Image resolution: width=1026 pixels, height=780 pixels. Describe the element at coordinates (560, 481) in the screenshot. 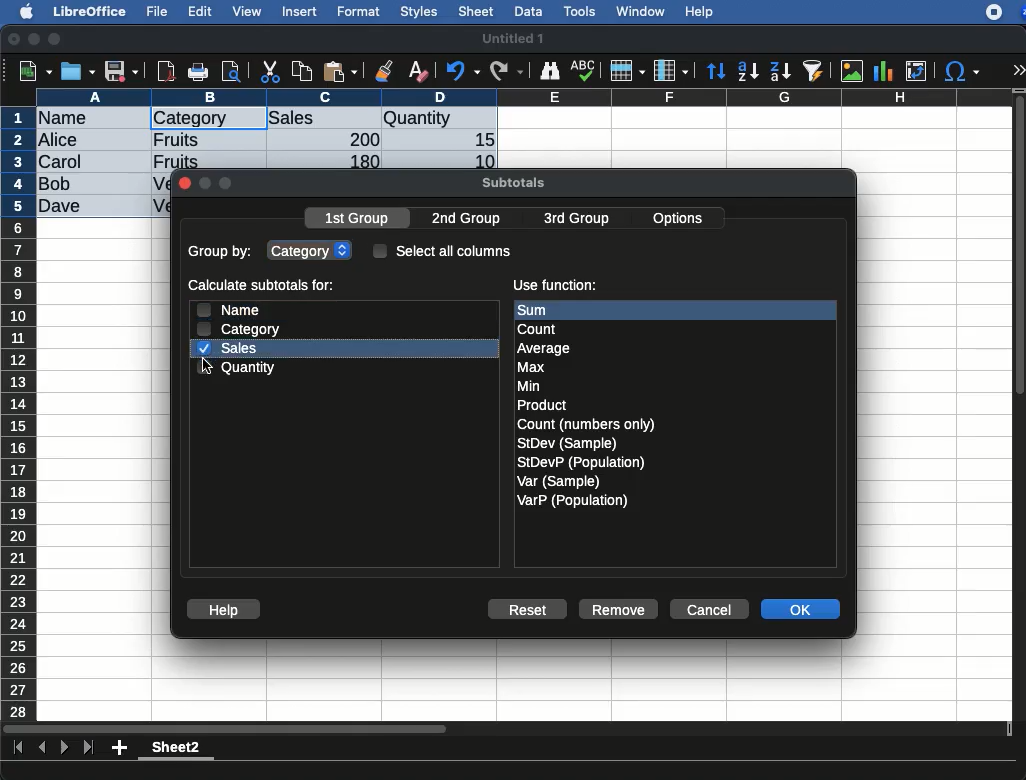

I see `Var (sample)` at that location.